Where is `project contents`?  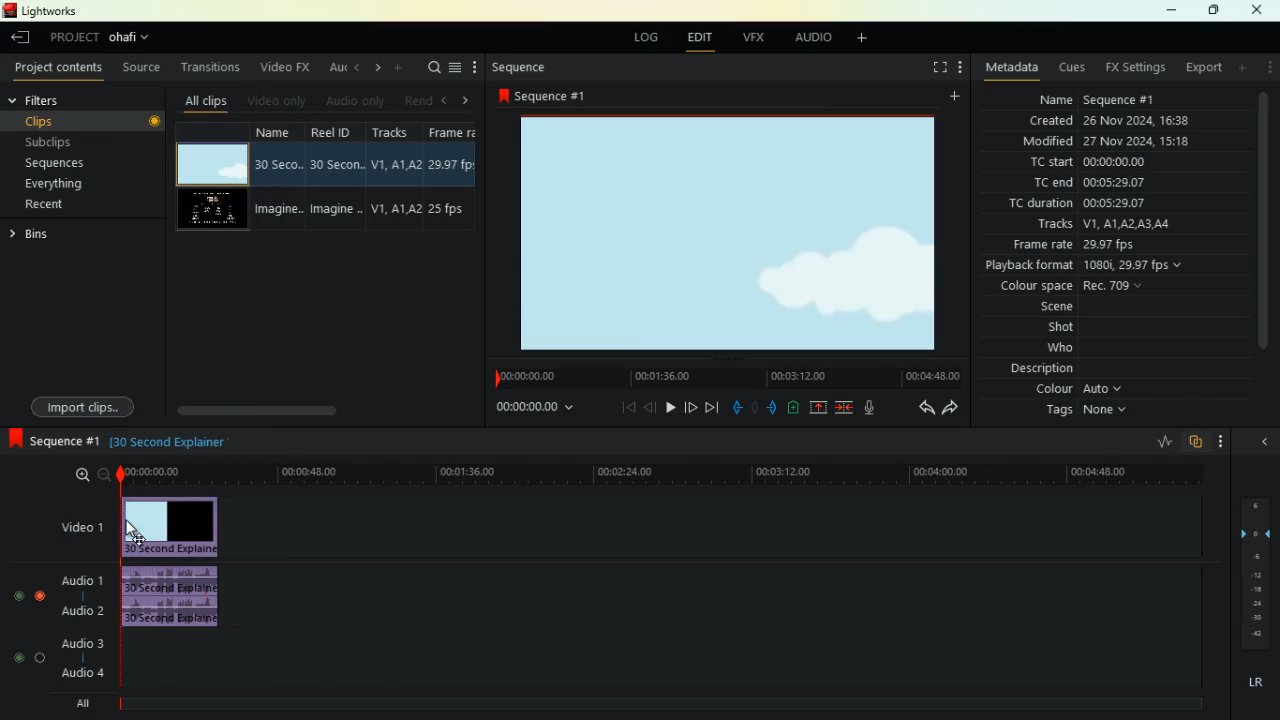 project contents is located at coordinates (63, 68).